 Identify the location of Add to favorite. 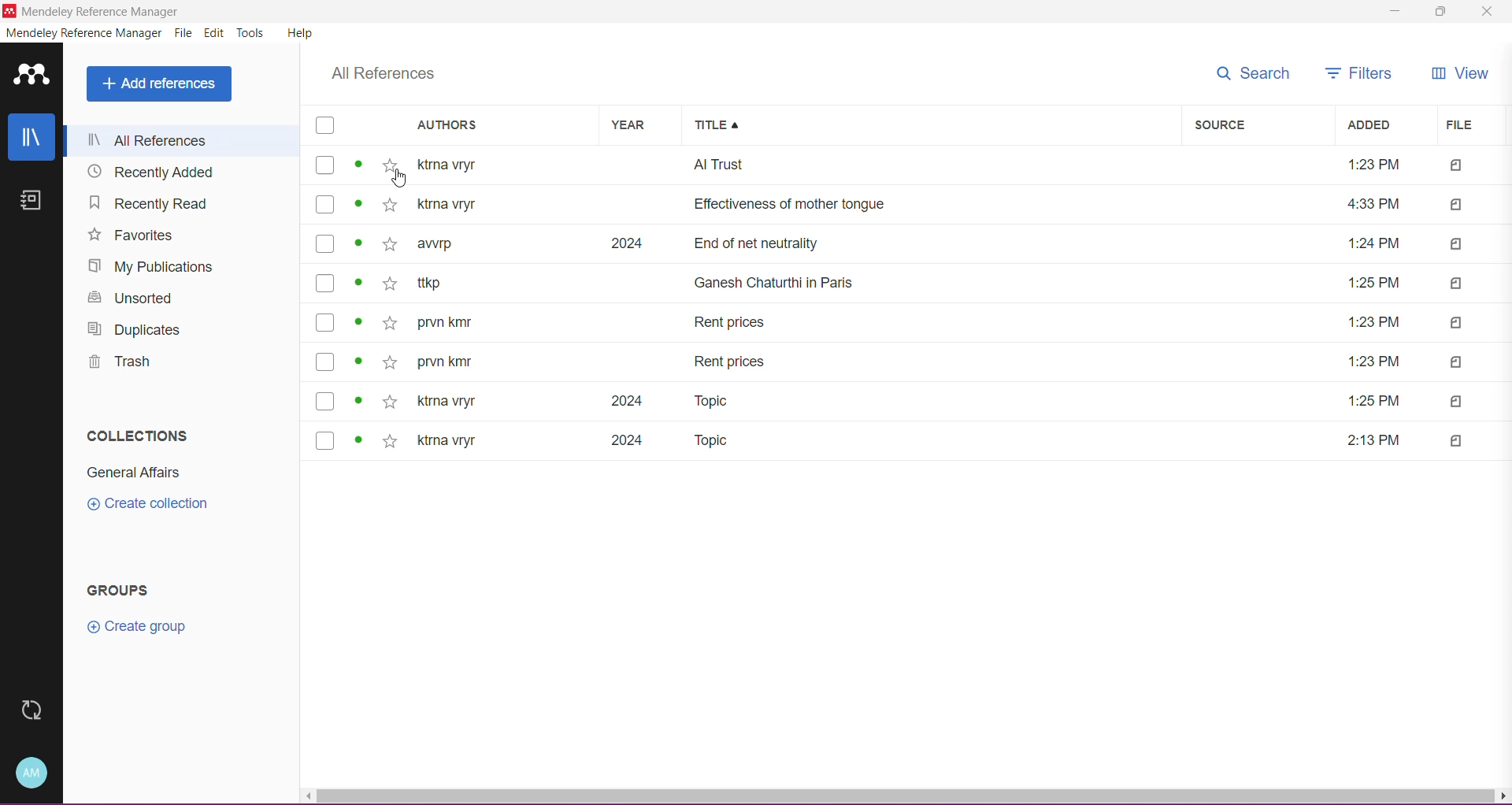
(390, 284).